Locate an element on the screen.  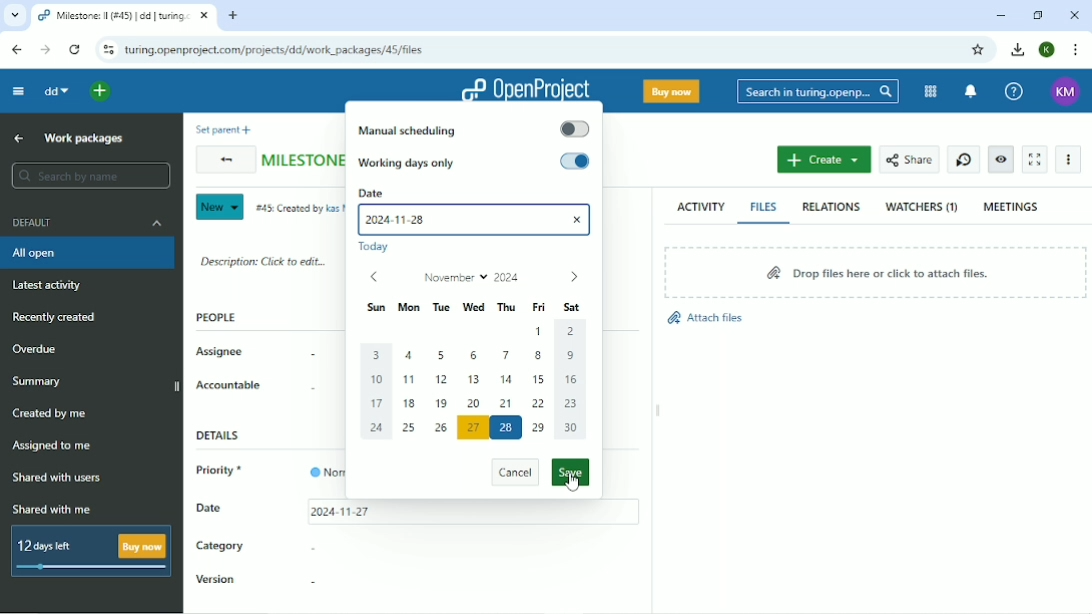
days of the week is located at coordinates (476, 307).